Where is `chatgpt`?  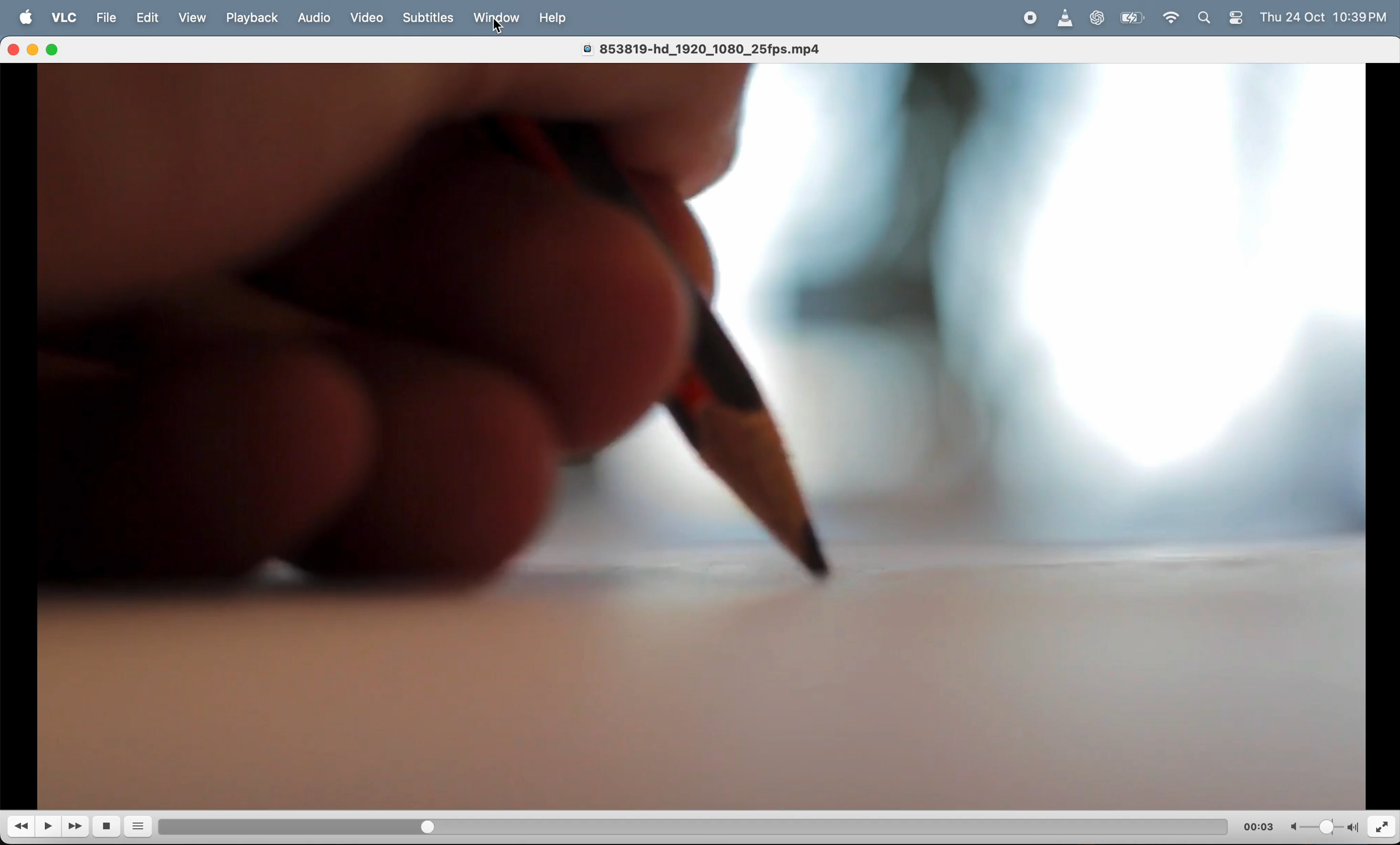 chatgpt is located at coordinates (1101, 19).